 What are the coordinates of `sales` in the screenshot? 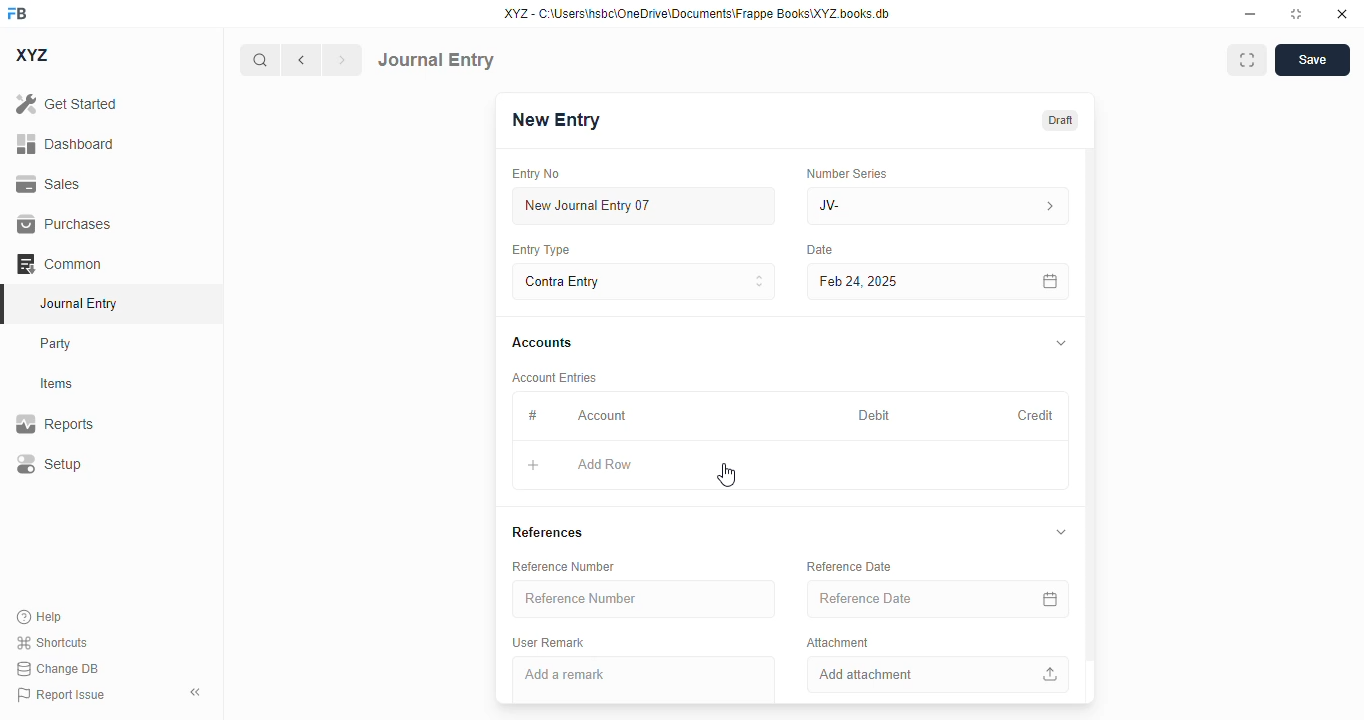 It's located at (48, 184).